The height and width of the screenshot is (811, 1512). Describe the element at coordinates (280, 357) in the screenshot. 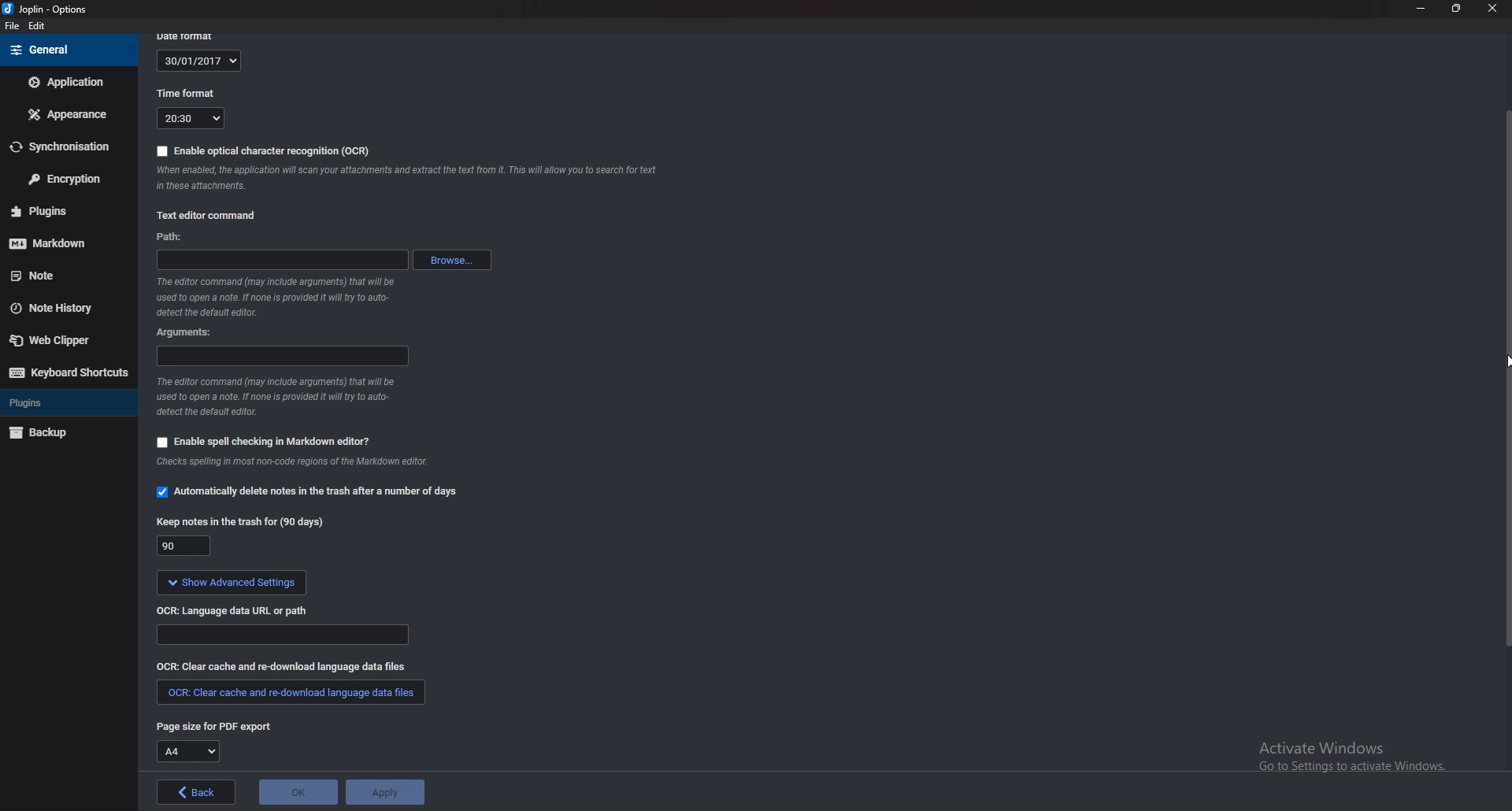

I see `arguments` at that location.